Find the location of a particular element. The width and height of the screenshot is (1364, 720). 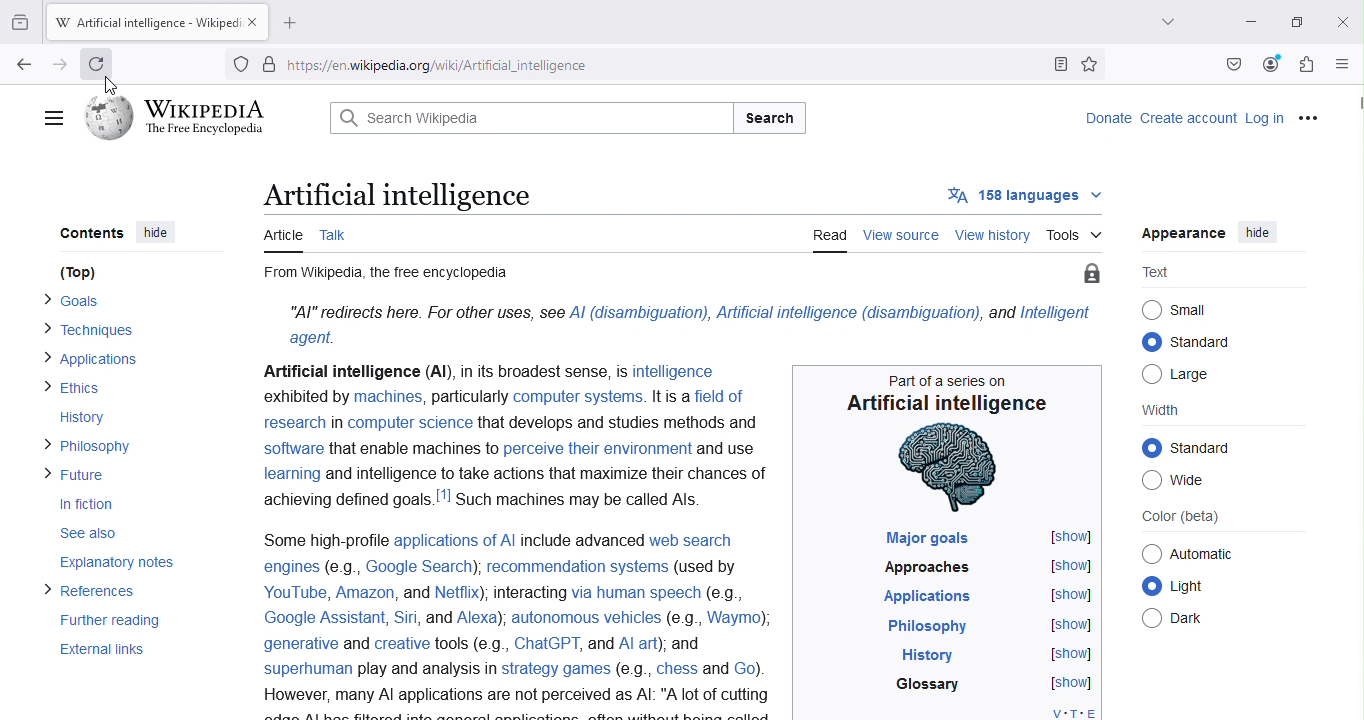

agent. is located at coordinates (320, 337).